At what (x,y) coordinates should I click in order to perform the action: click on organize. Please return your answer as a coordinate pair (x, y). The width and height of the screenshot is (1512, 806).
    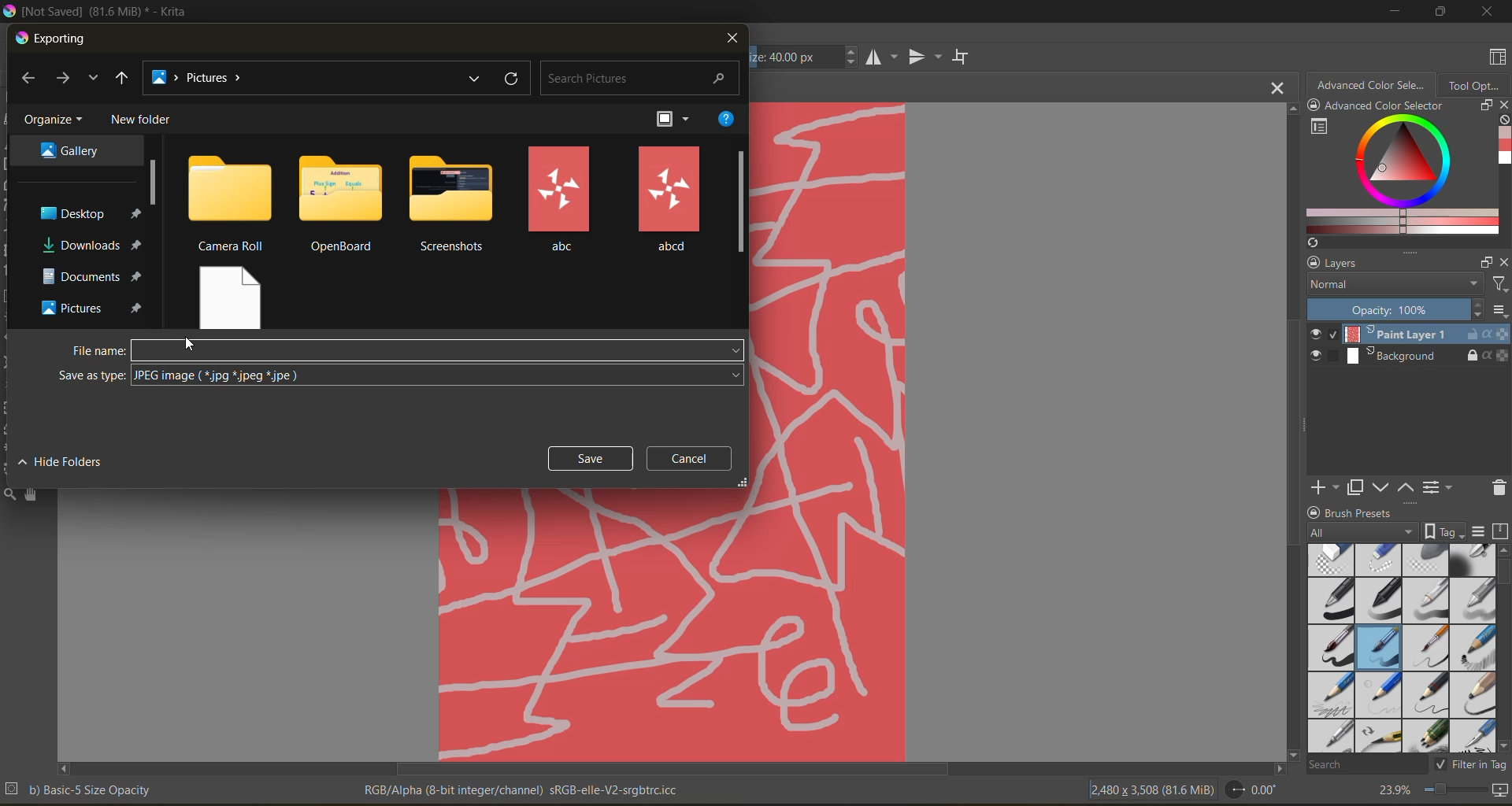
    Looking at the image, I should click on (57, 120).